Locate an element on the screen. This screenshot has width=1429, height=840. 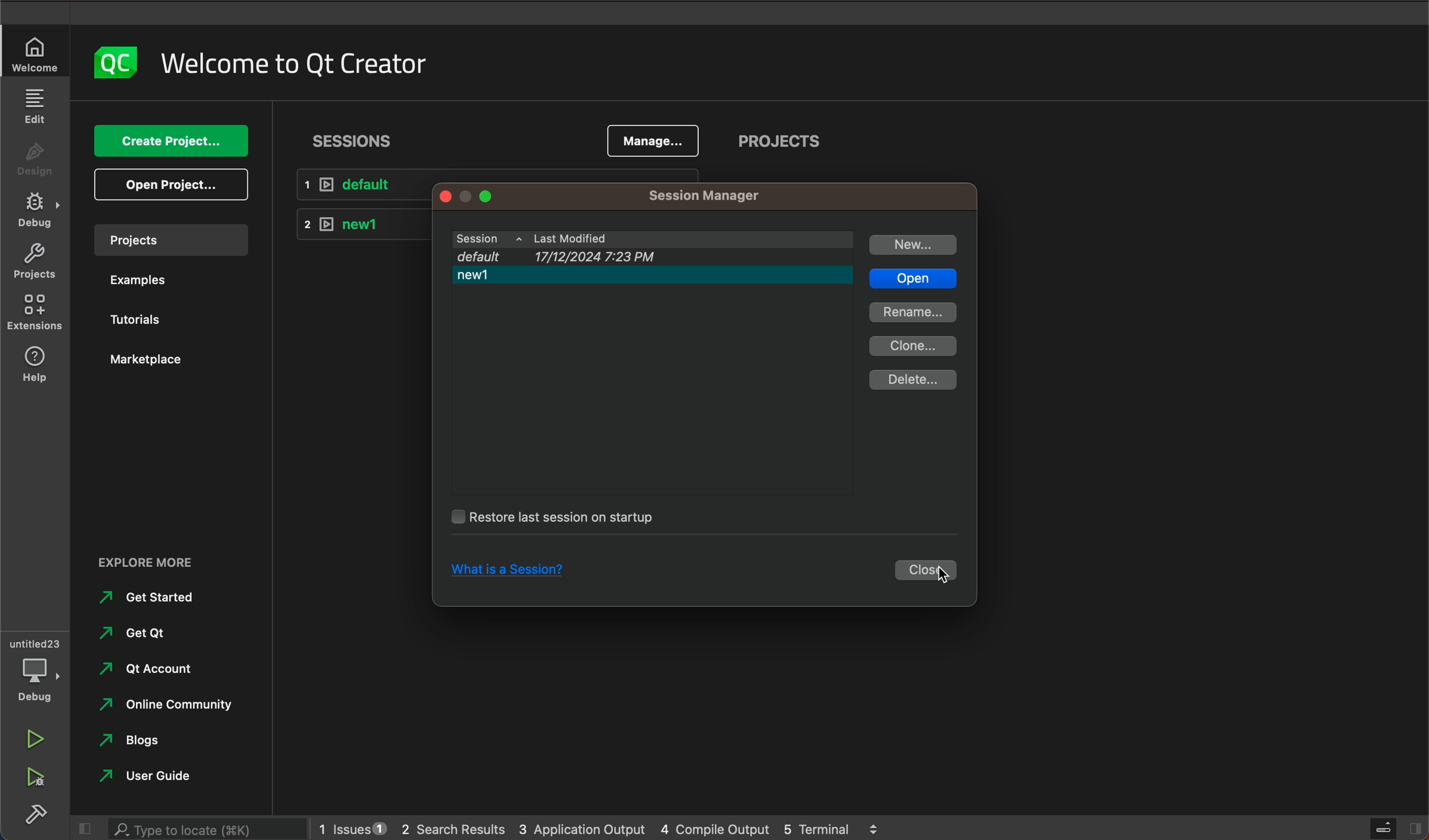
default is located at coordinates (365, 185).